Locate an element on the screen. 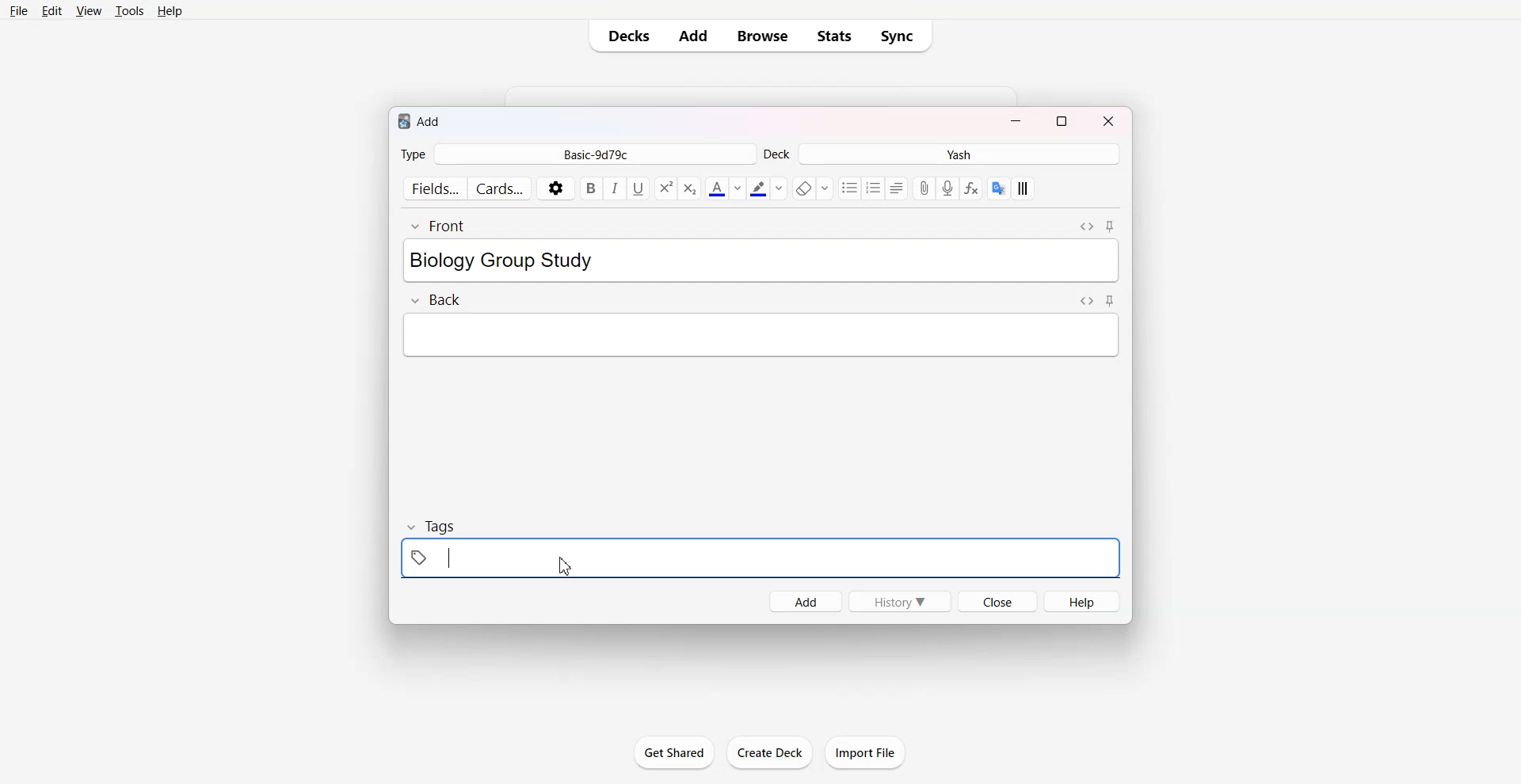  Tag is located at coordinates (433, 526).